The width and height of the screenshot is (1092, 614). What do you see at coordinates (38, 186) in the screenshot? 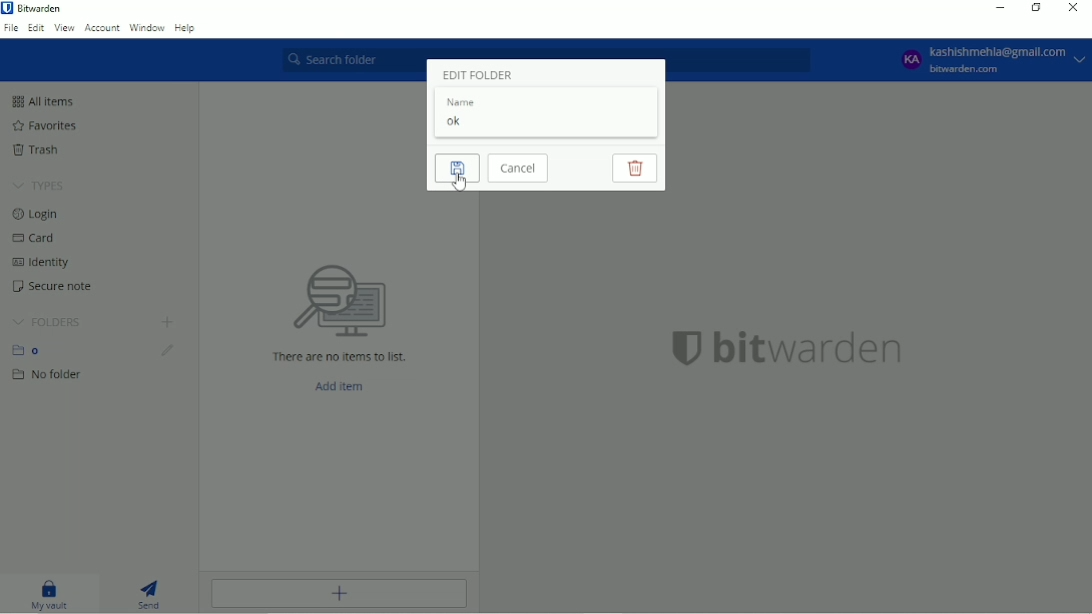
I see `Types` at bounding box center [38, 186].